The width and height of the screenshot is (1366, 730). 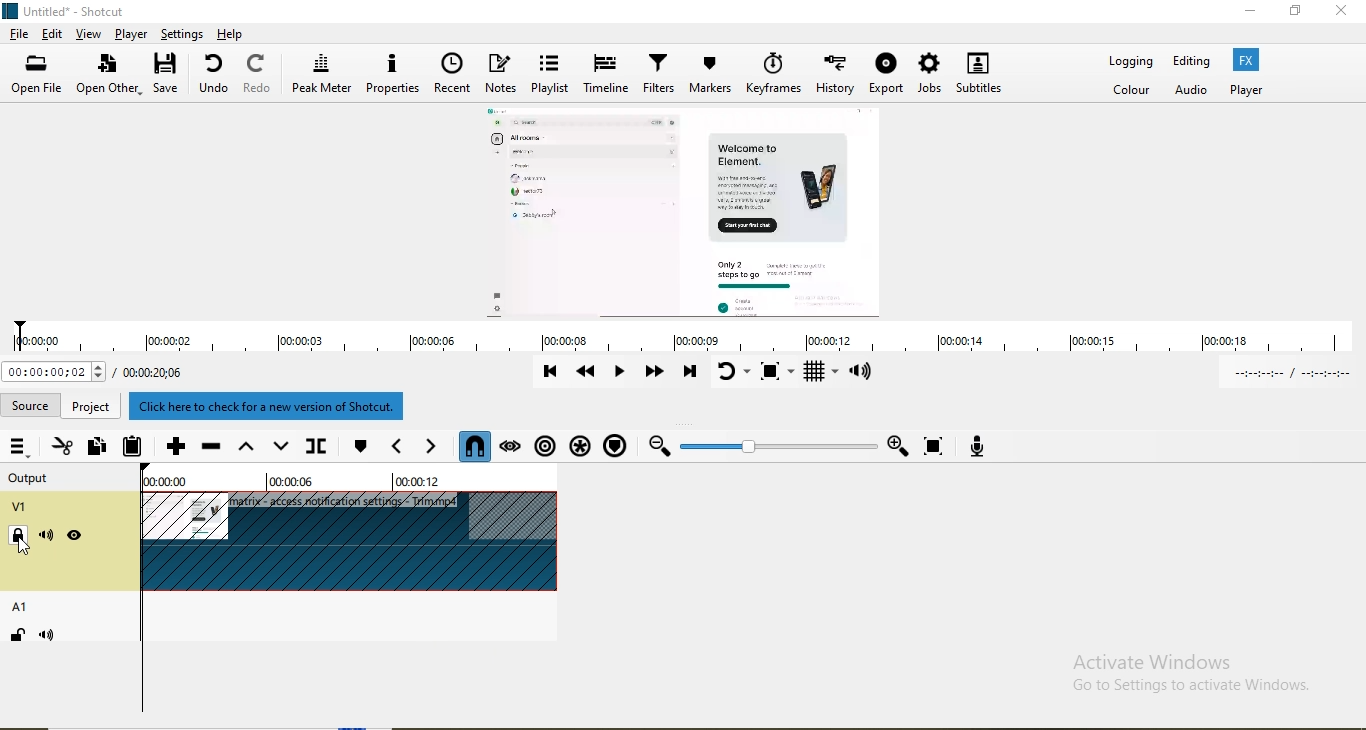 What do you see at coordinates (32, 403) in the screenshot?
I see `Source ` at bounding box center [32, 403].